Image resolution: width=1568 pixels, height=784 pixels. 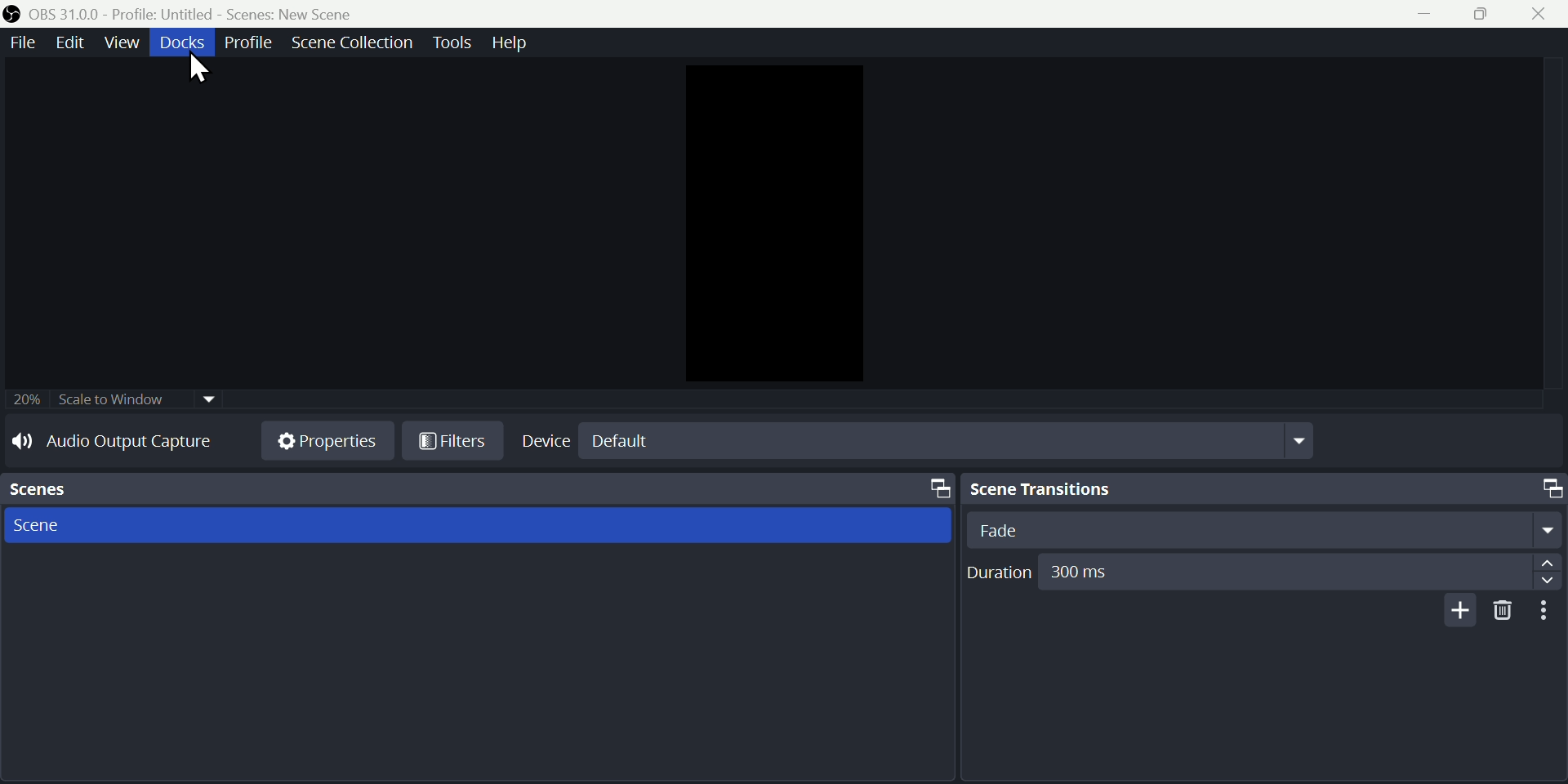 I want to click on edit, so click(x=69, y=42).